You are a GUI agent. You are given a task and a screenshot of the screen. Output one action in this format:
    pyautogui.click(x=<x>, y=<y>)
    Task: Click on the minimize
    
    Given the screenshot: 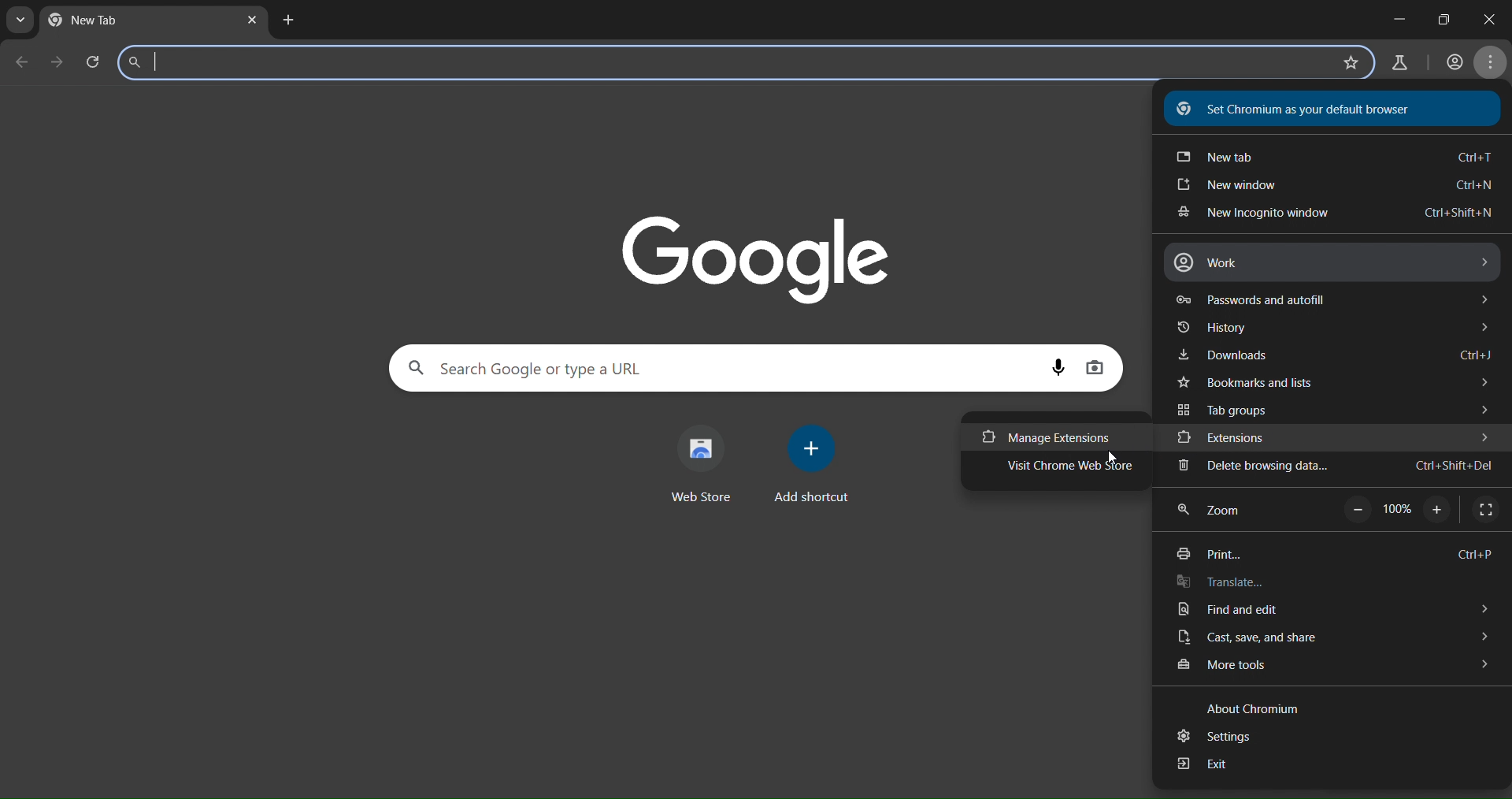 What is the action you would take?
    pyautogui.click(x=1391, y=17)
    